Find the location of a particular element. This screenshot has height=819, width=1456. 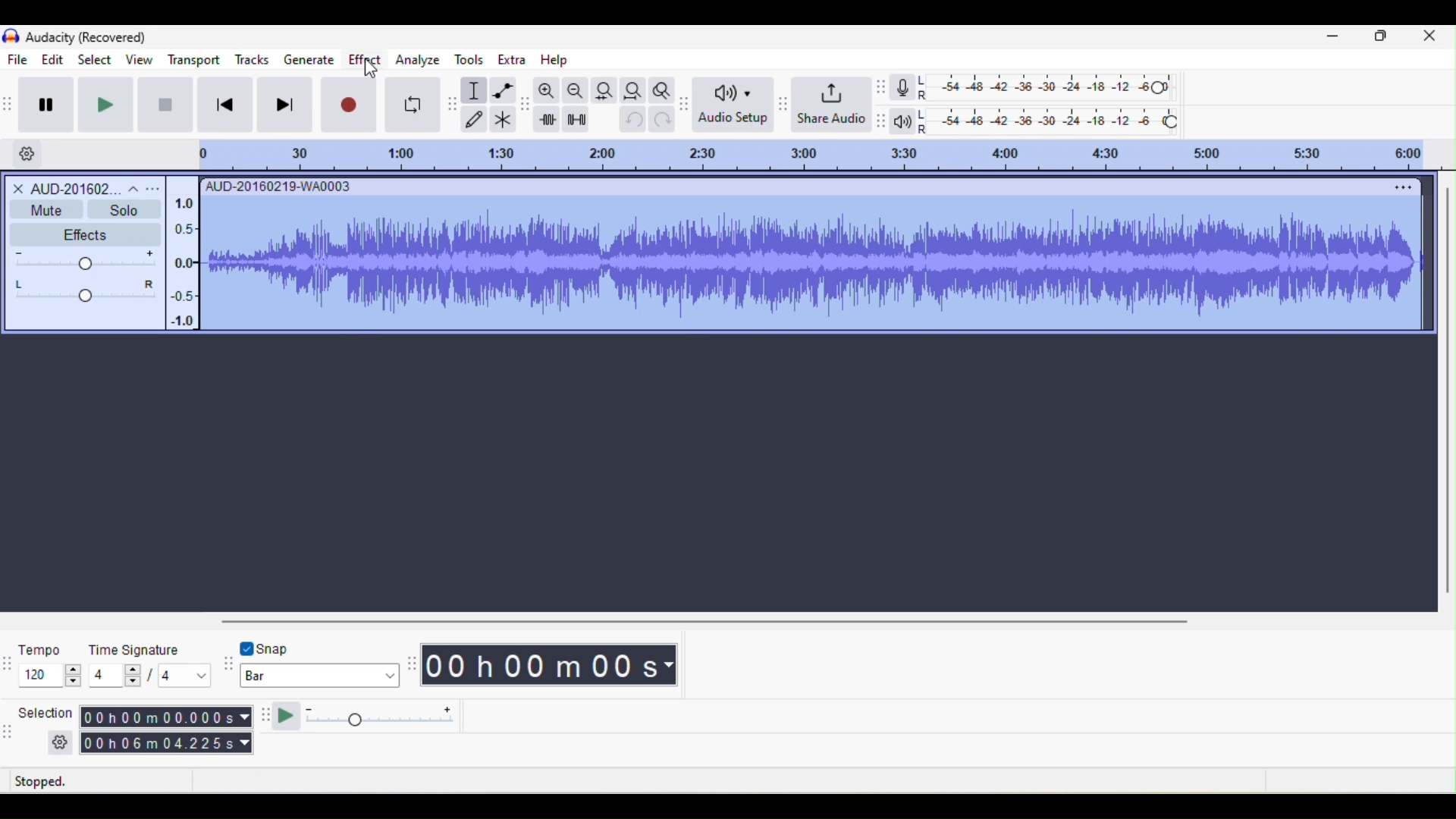

audio is located at coordinates (57, 190).